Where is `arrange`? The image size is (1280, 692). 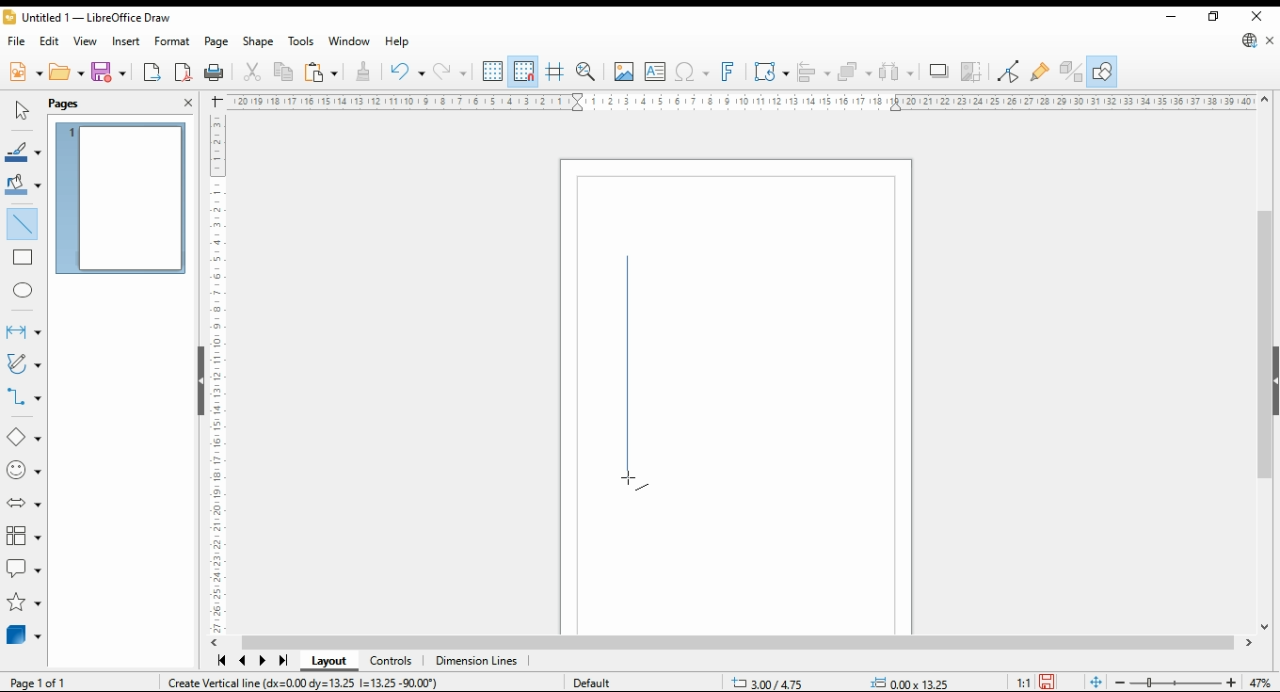 arrange is located at coordinates (855, 71).